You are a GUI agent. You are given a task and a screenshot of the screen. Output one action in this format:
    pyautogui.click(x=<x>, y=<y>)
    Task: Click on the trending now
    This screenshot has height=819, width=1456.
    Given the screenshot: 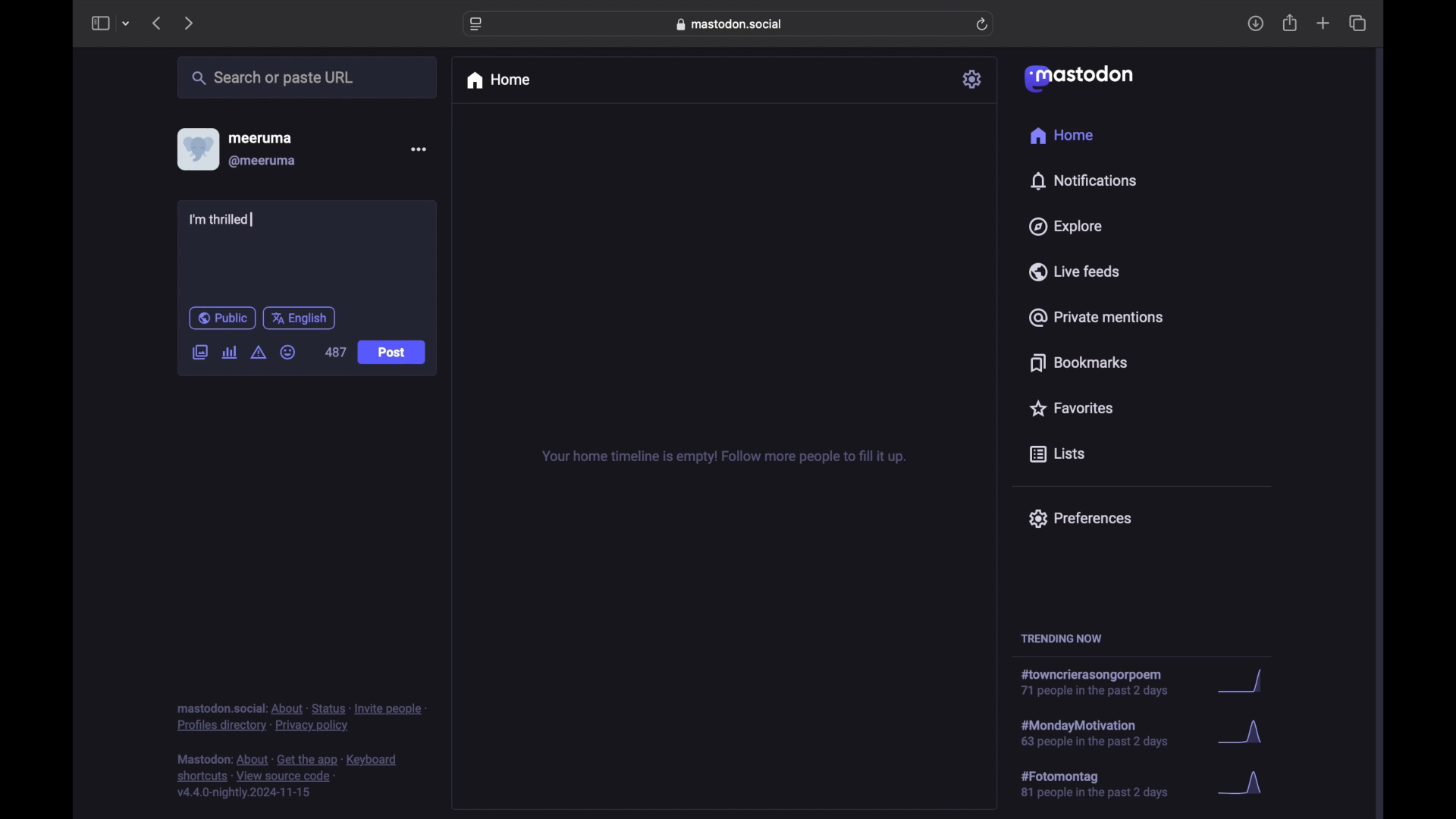 What is the action you would take?
    pyautogui.click(x=1061, y=639)
    